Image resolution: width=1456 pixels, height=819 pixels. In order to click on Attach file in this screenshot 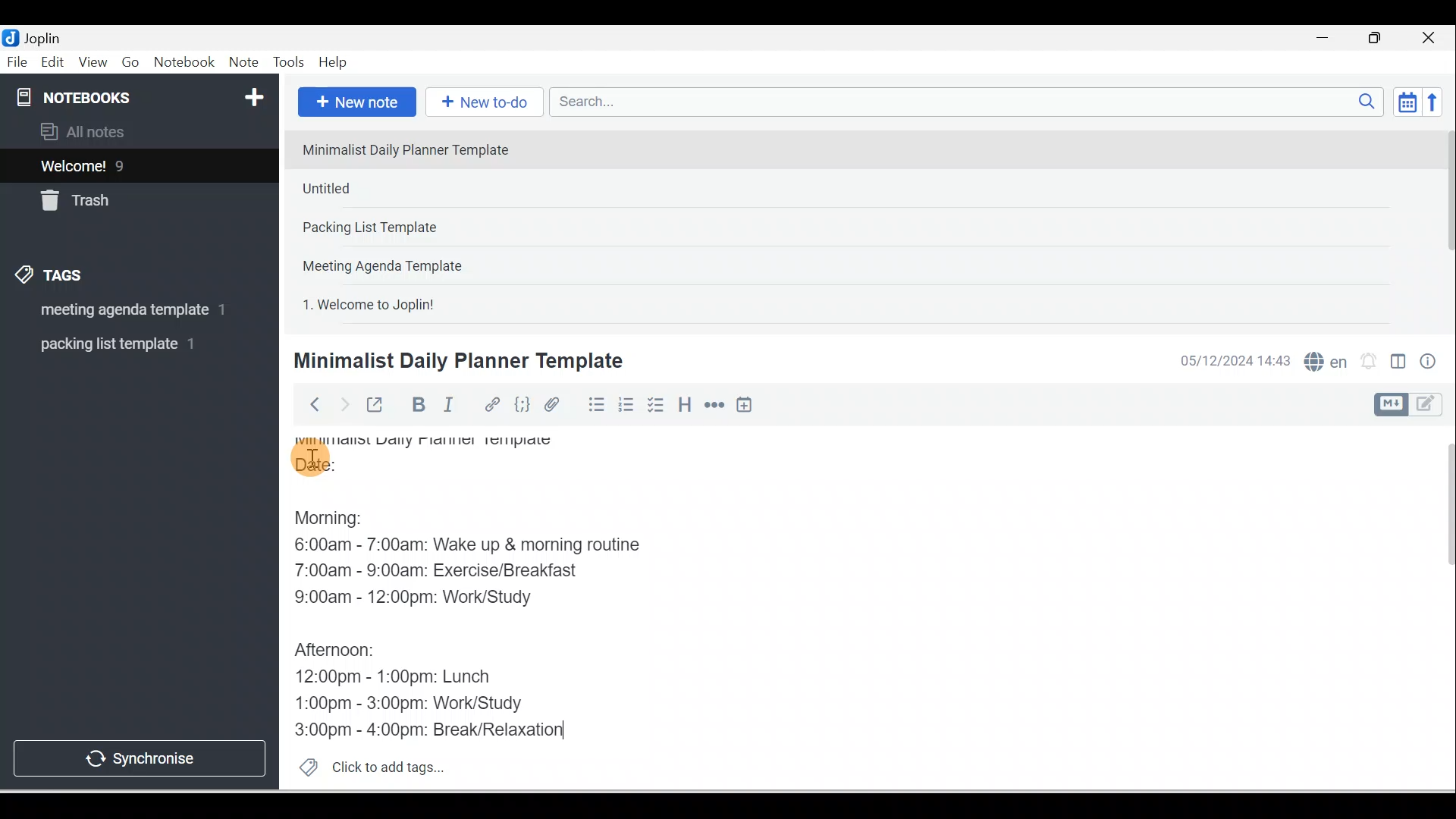, I will do `click(556, 404)`.